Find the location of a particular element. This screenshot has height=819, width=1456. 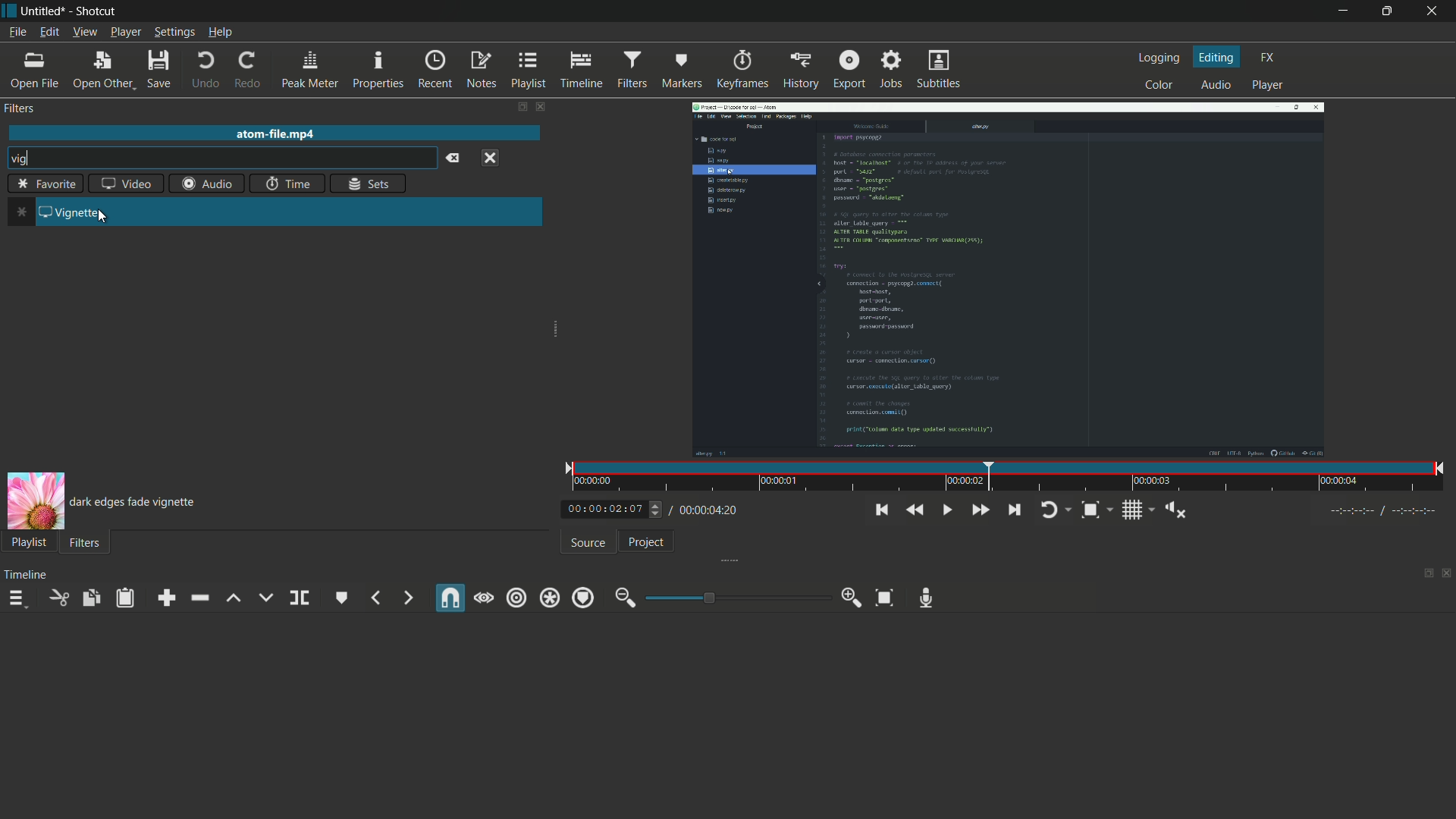

quickly play backward is located at coordinates (913, 510).